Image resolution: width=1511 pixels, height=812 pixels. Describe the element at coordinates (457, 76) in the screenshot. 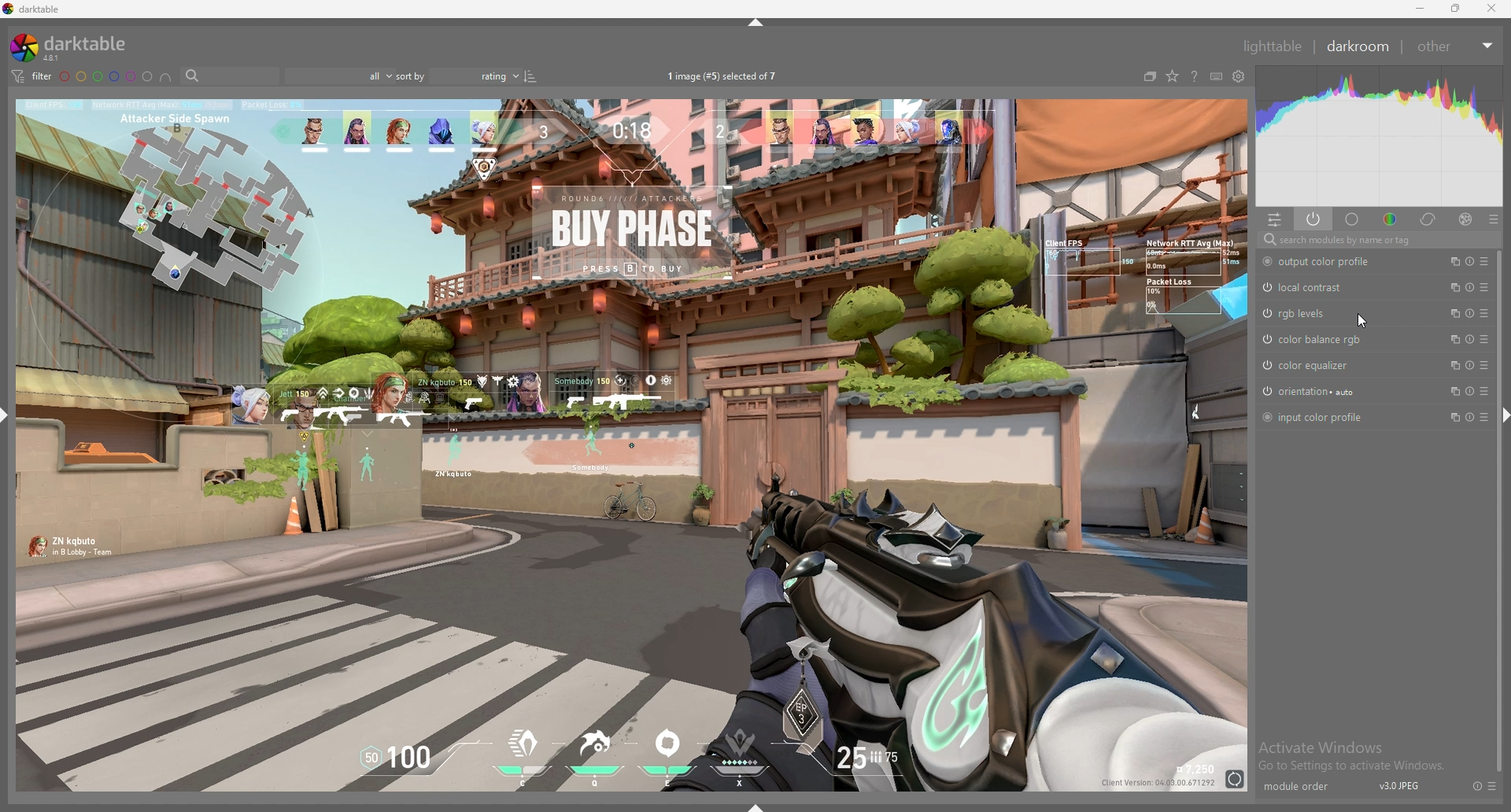

I see `sort by` at that location.